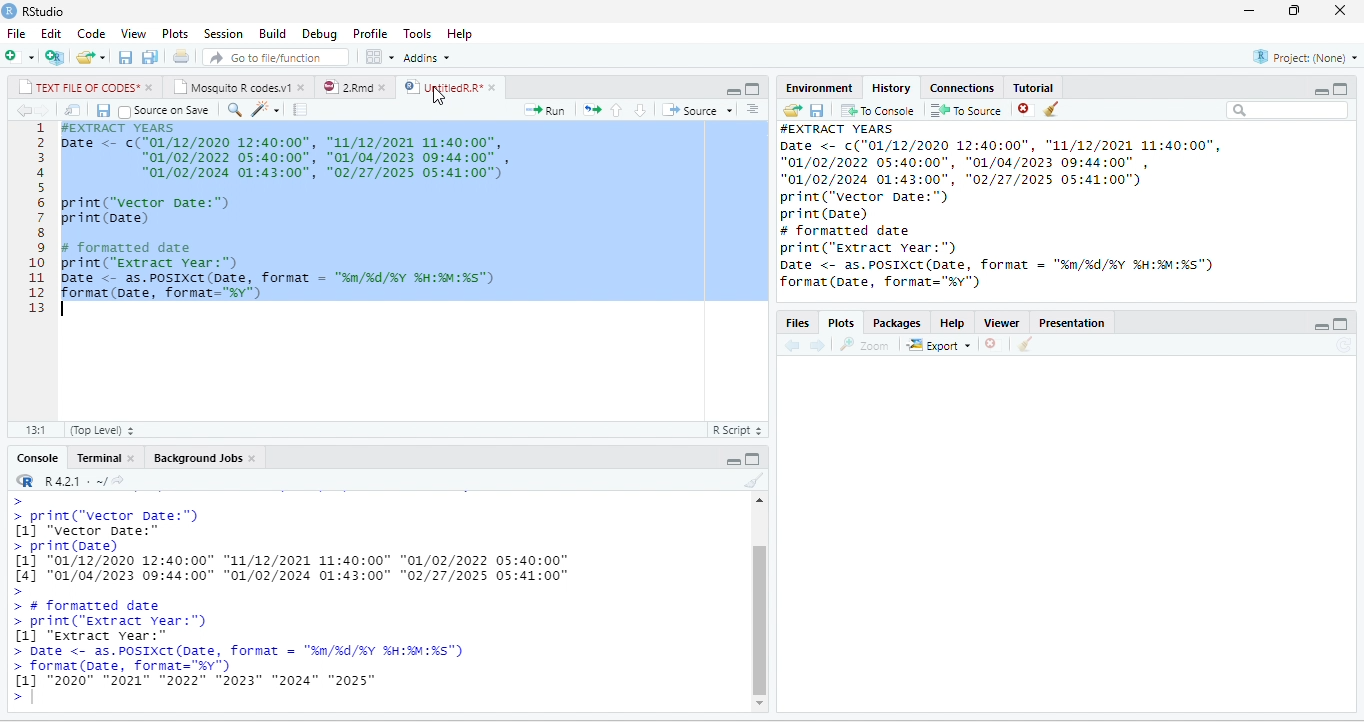 This screenshot has width=1364, height=722. What do you see at coordinates (303, 87) in the screenshot?
I see `close` at bounding box center [303, 87].